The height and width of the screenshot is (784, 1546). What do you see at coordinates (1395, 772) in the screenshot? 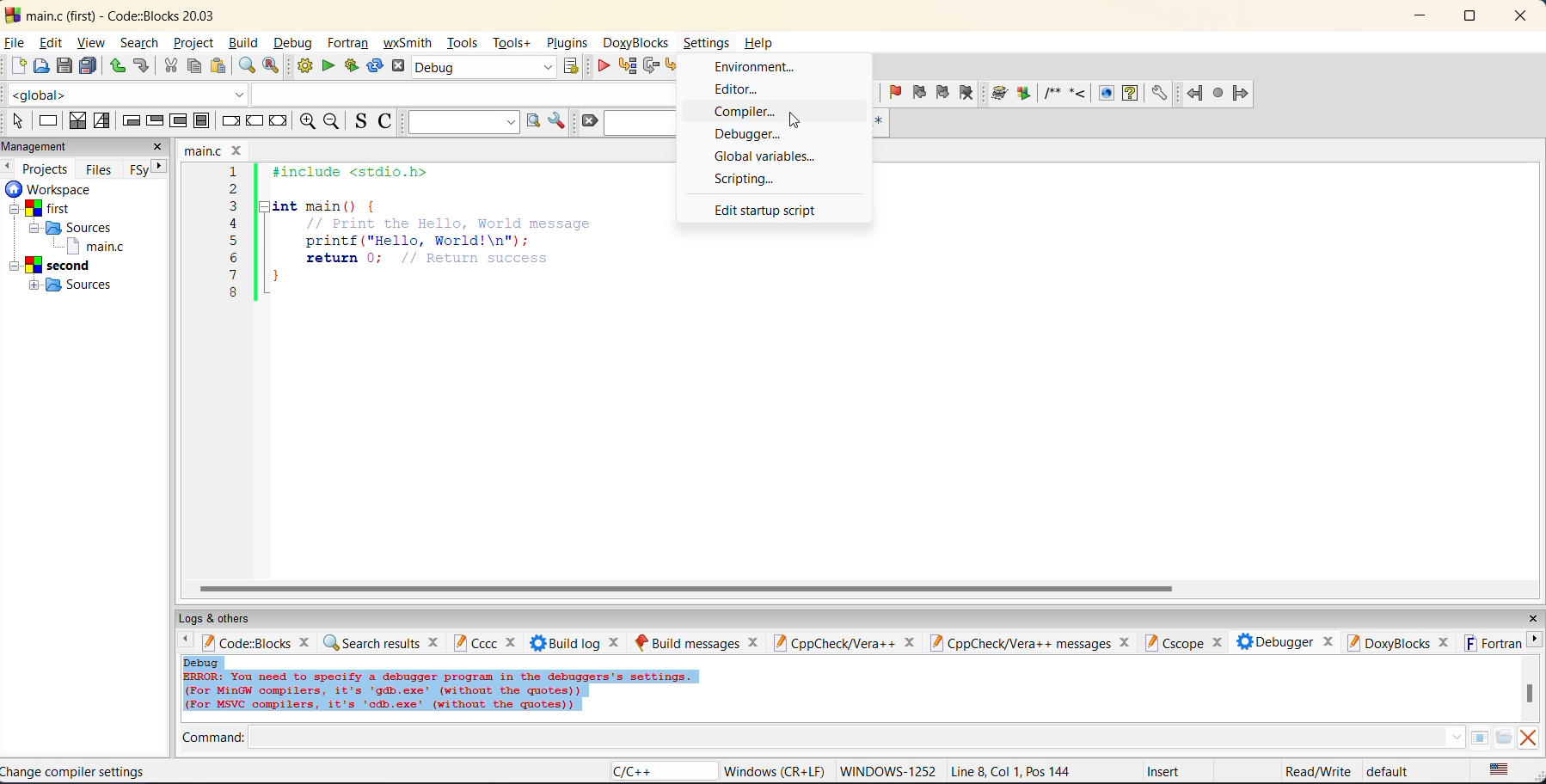
I see `default` at bounding box center [1395, 772].